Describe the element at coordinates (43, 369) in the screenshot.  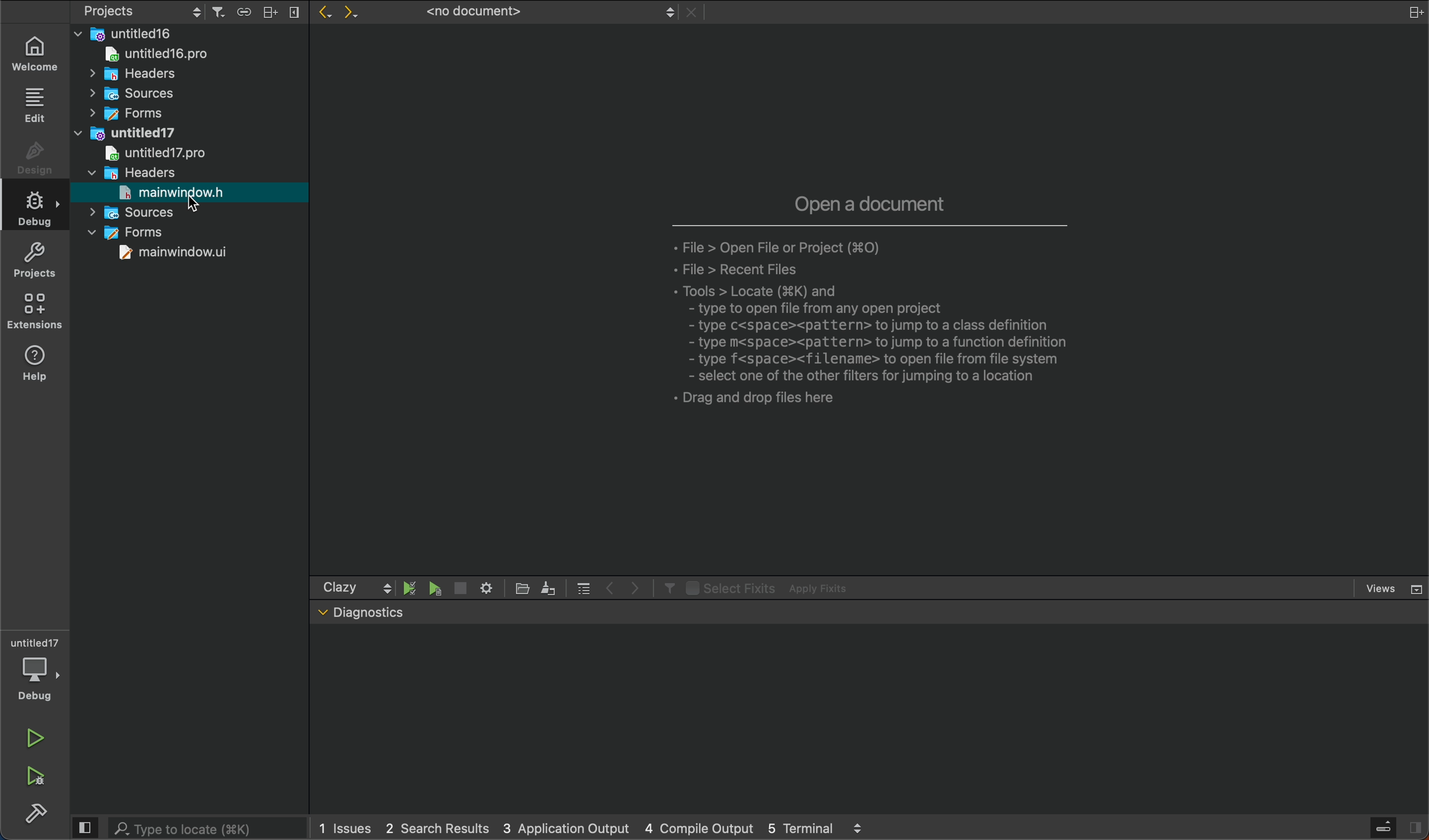
I see `help` at that location.